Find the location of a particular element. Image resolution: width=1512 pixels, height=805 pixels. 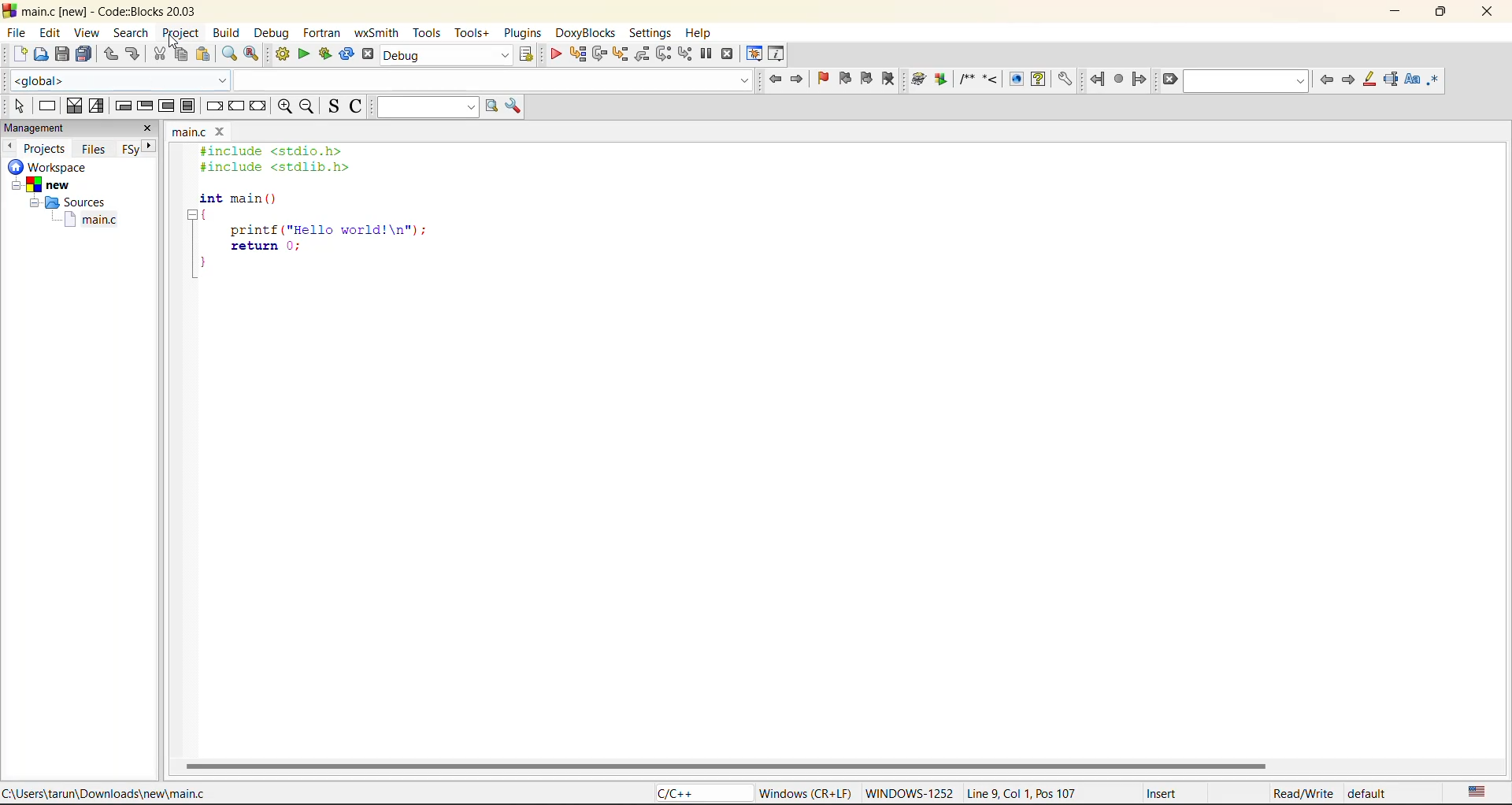

cursor is located at coordinates (172, 43).